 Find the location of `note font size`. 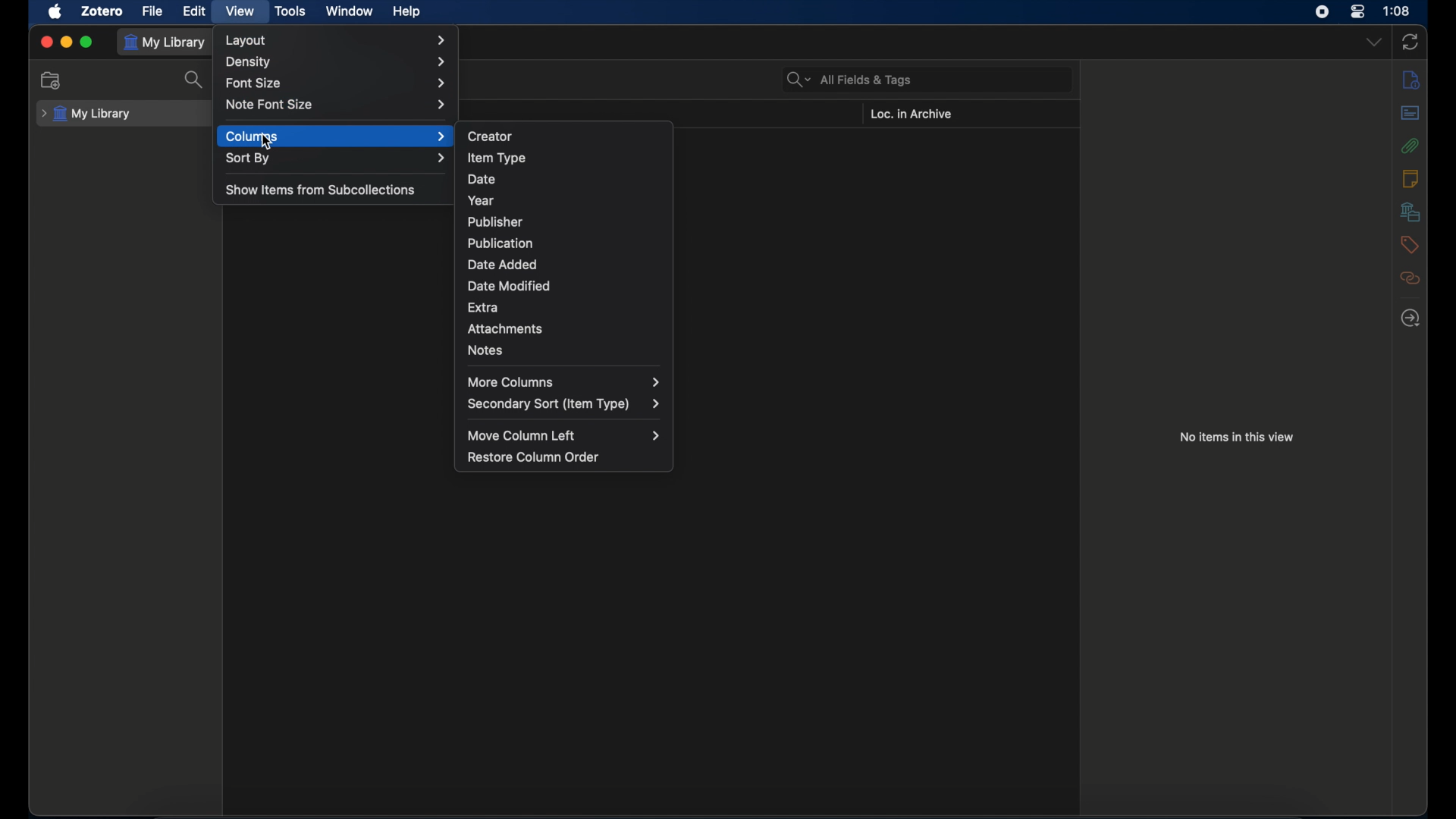

note font size is located at coordinates (336, 104).